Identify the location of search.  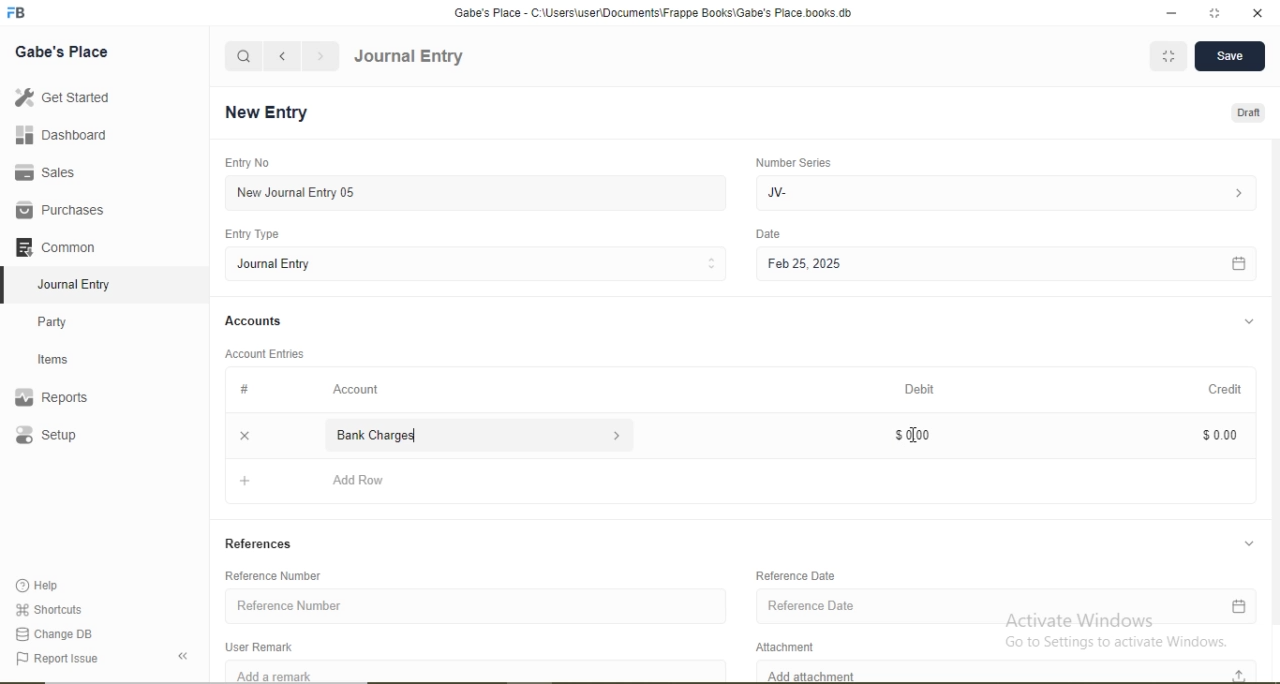
(244, 56).